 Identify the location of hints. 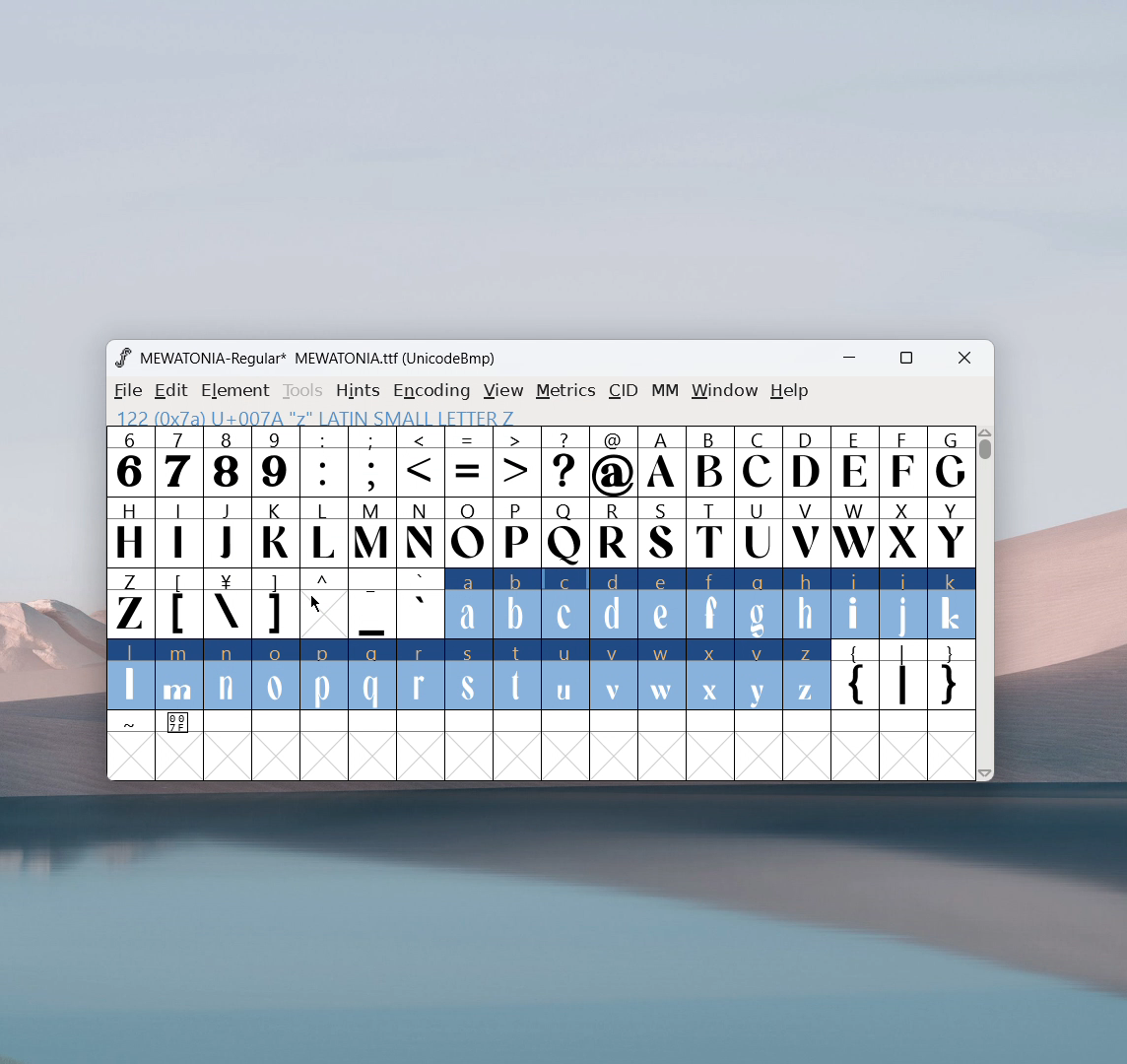
(360, 390).